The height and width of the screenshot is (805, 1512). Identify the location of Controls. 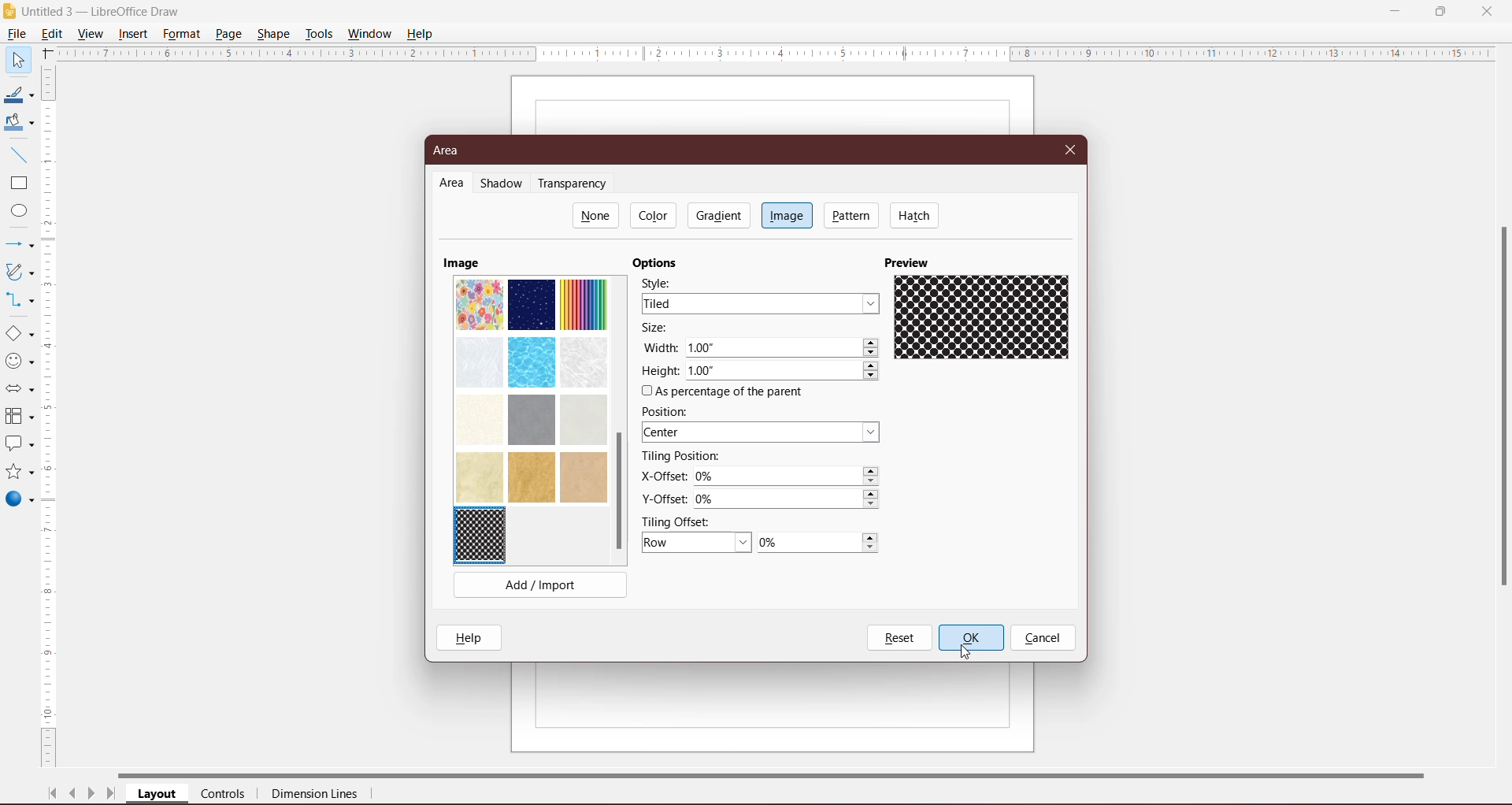
(228, 795).